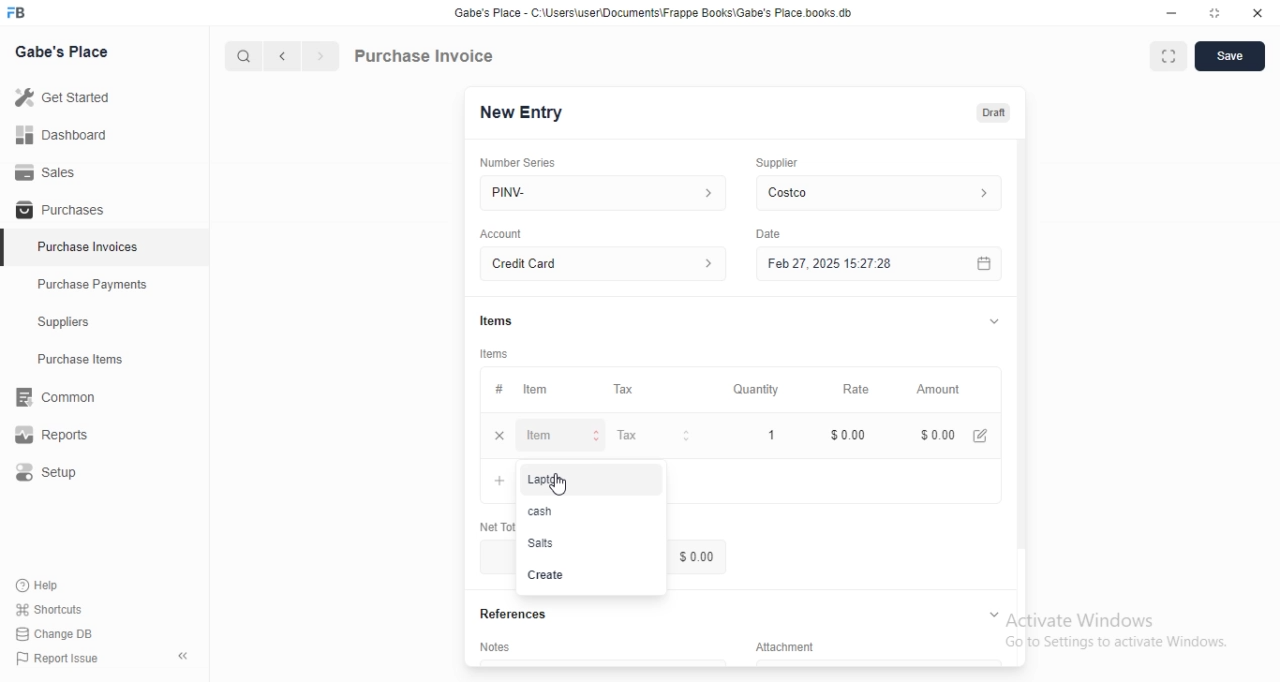 The image size is (1280, 682). I want to click on ‘Gabe's Place - C\Users\useriDocuments\Frappe Books\Gabe's Place books db., so click(653, 12).